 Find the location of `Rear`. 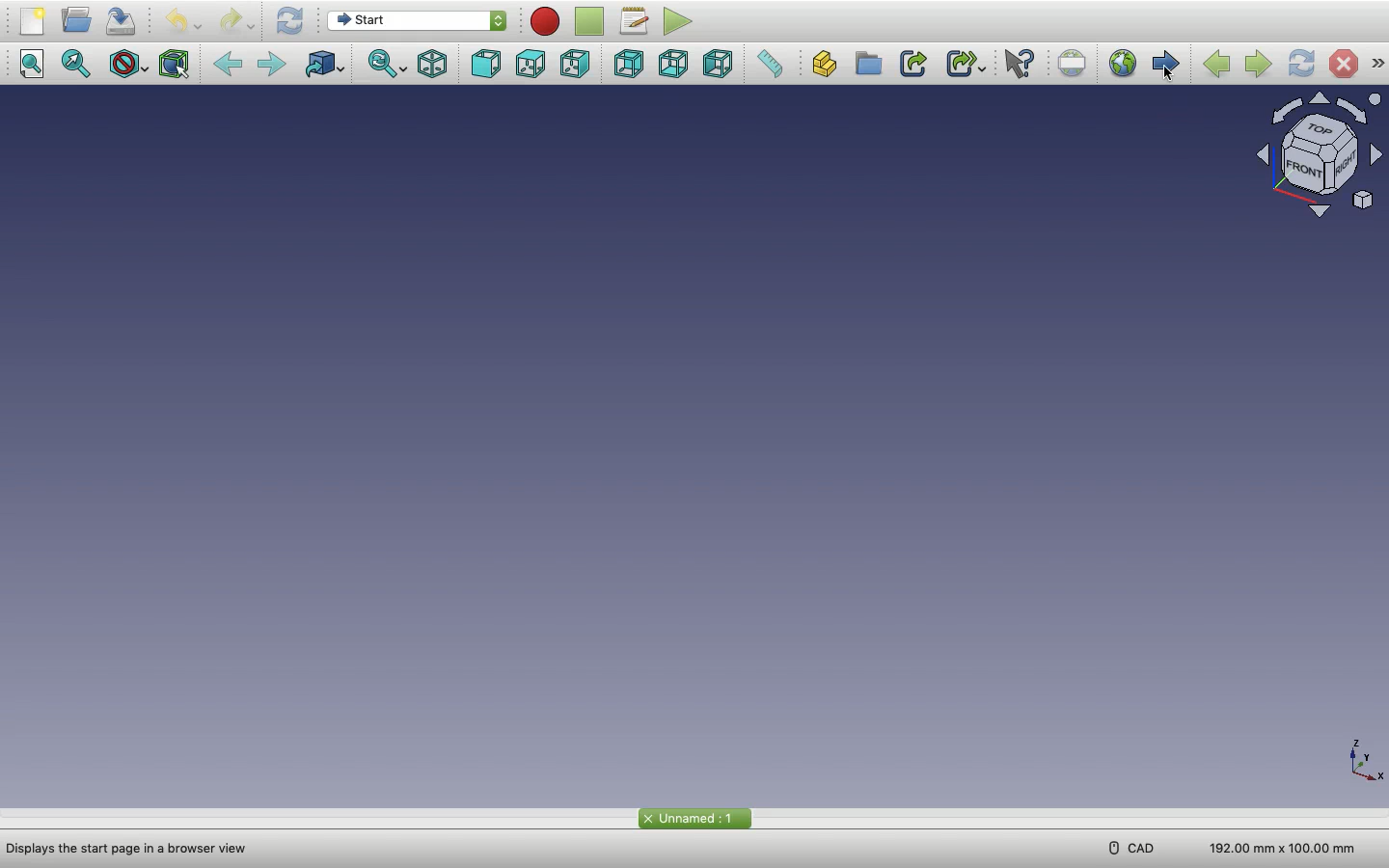

Rear is located at coordinates (633, 64).